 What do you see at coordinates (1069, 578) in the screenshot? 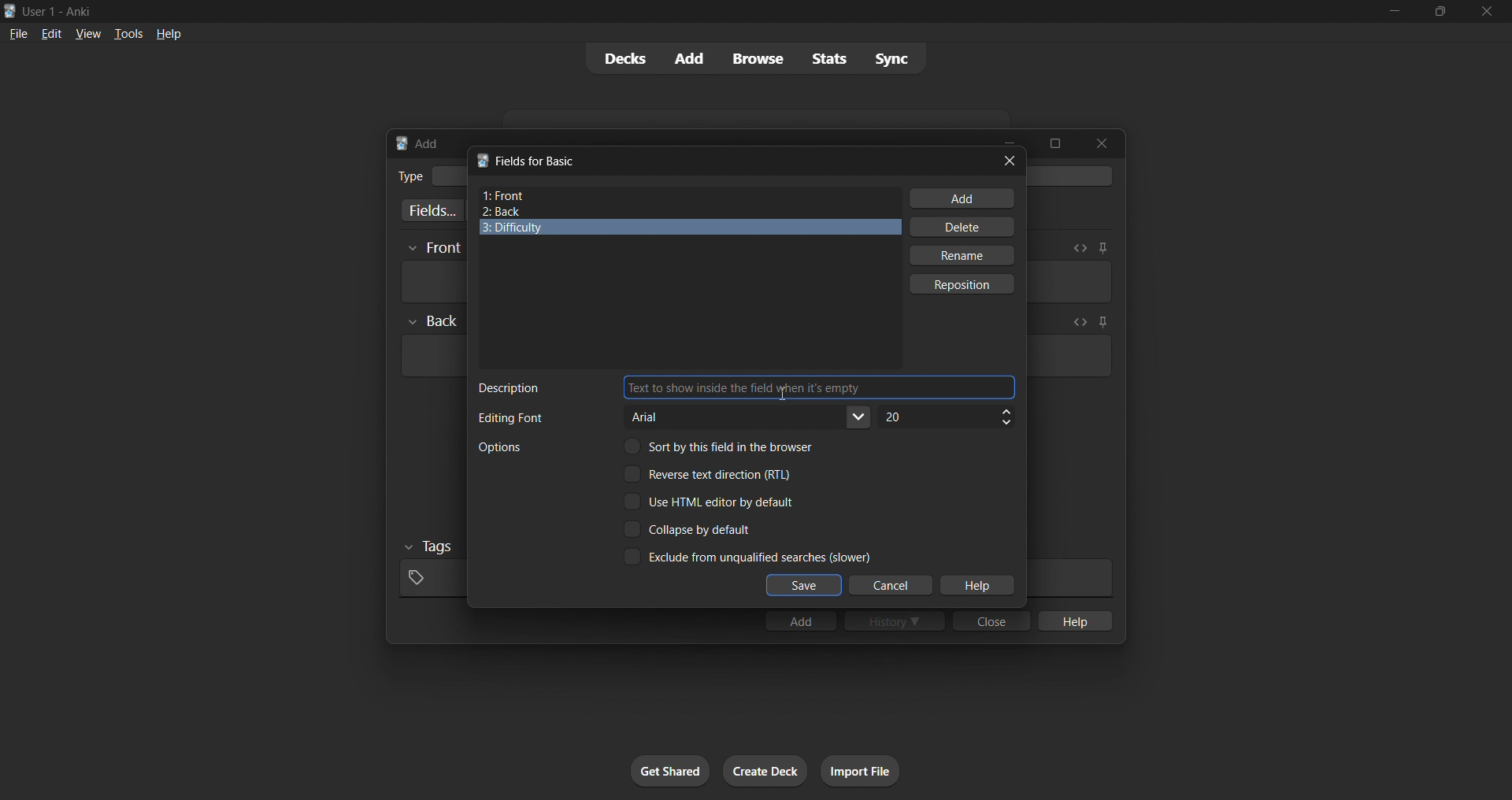
I see `Card tags input` at bounding box center [1069, 578].